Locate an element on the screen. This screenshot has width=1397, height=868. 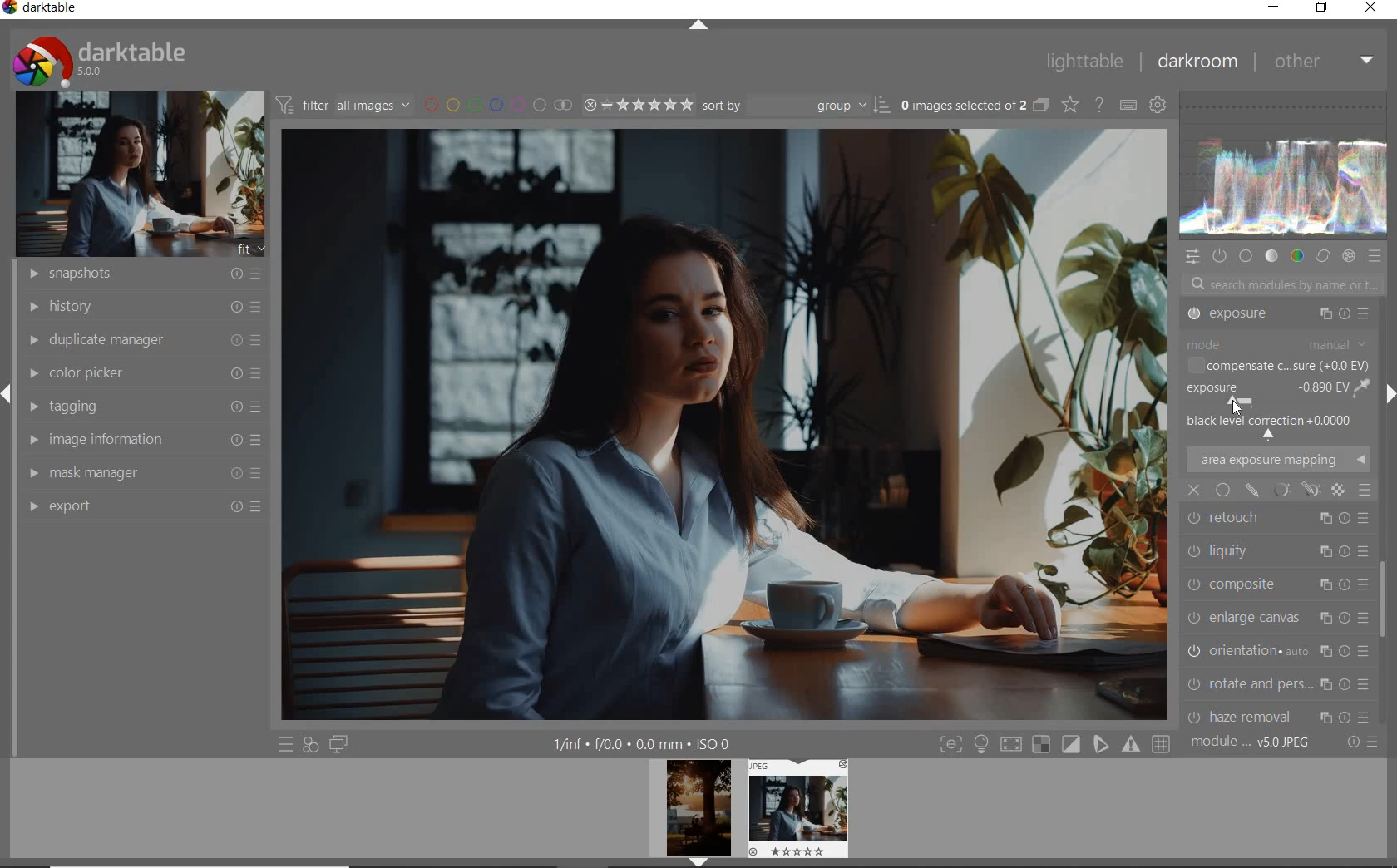
IMAGE PREVIEW is located at coordinates (797, 808).